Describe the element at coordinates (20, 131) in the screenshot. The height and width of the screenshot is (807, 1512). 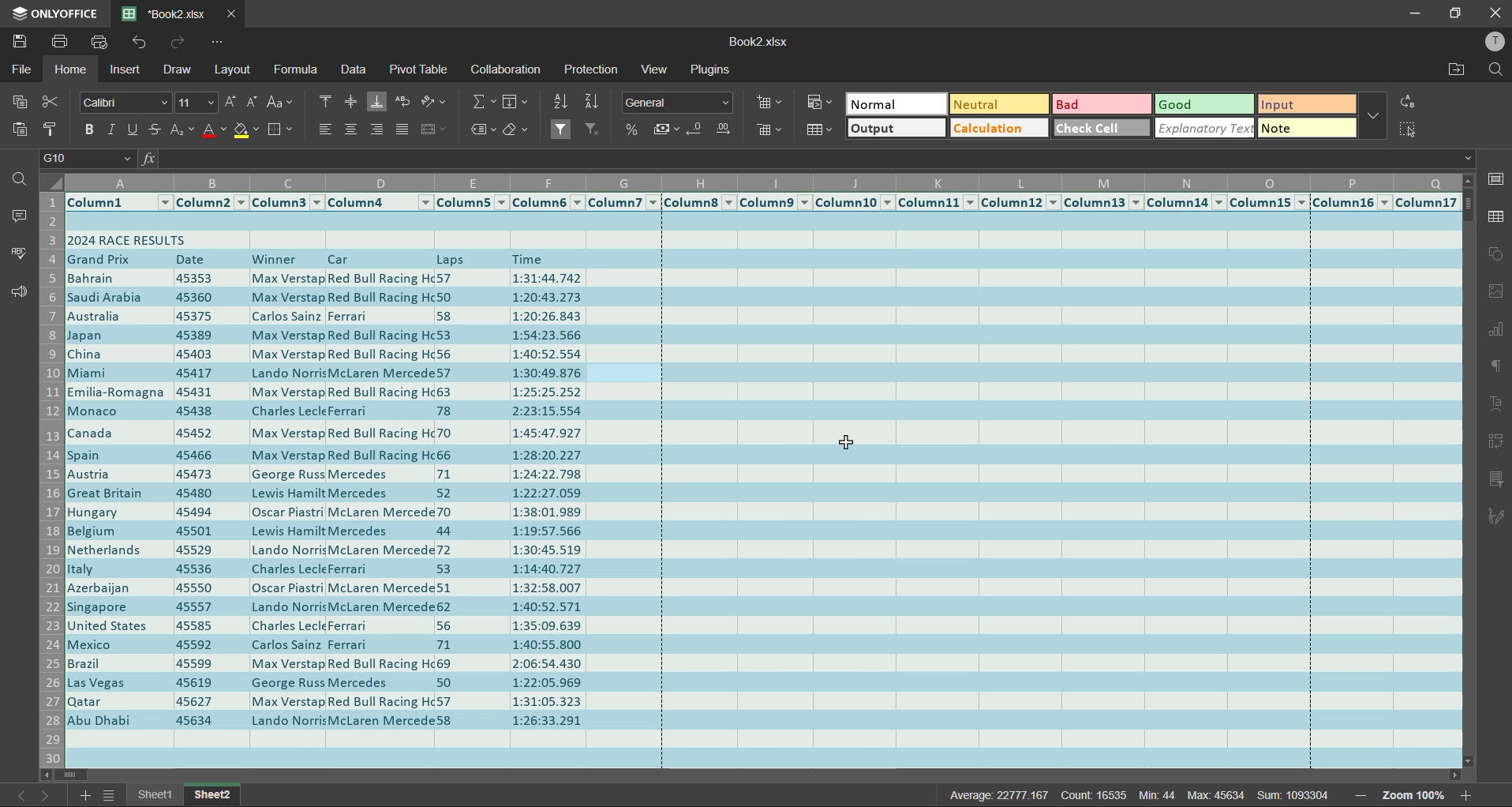
I see `paste` at that location.